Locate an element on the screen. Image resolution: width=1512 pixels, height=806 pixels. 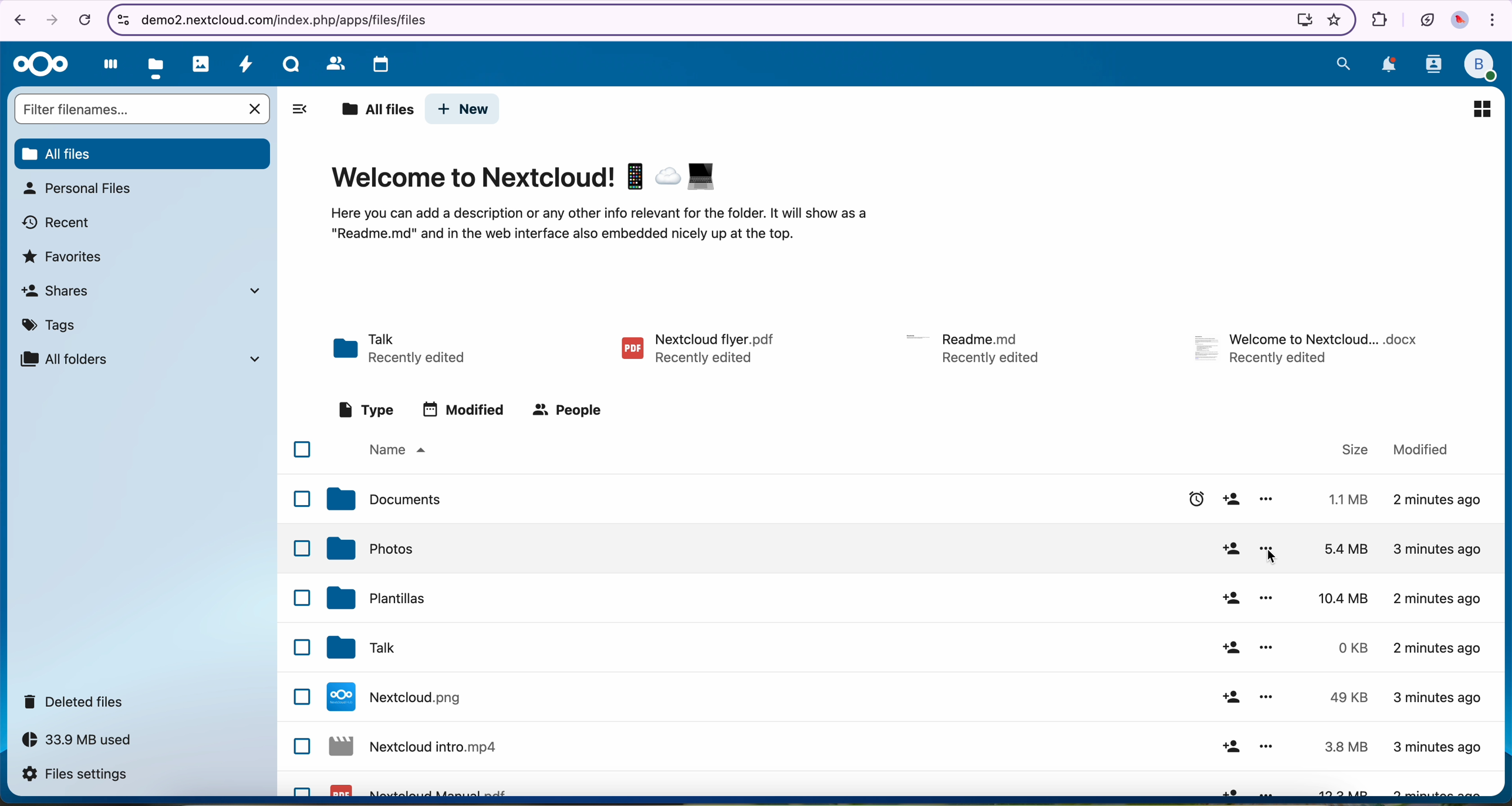
search bar is located at coordinates (140, 108).